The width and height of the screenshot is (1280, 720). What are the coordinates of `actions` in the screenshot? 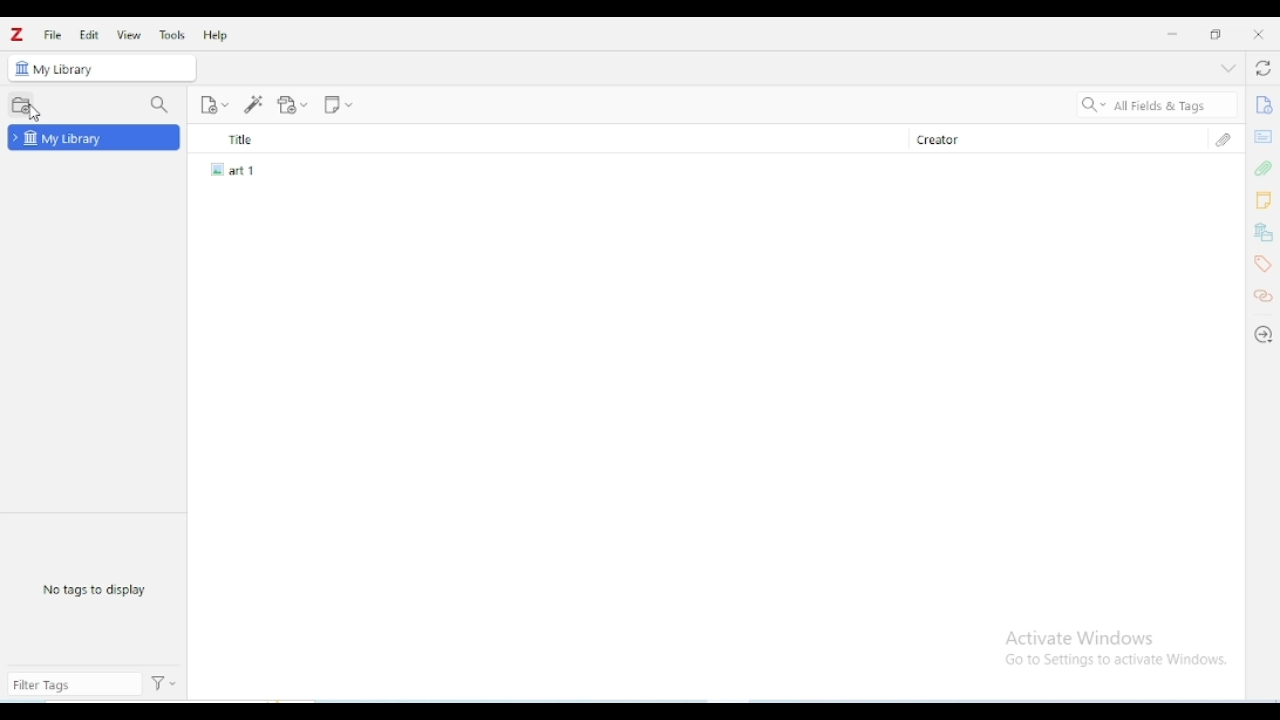 It's located at (166, 684).